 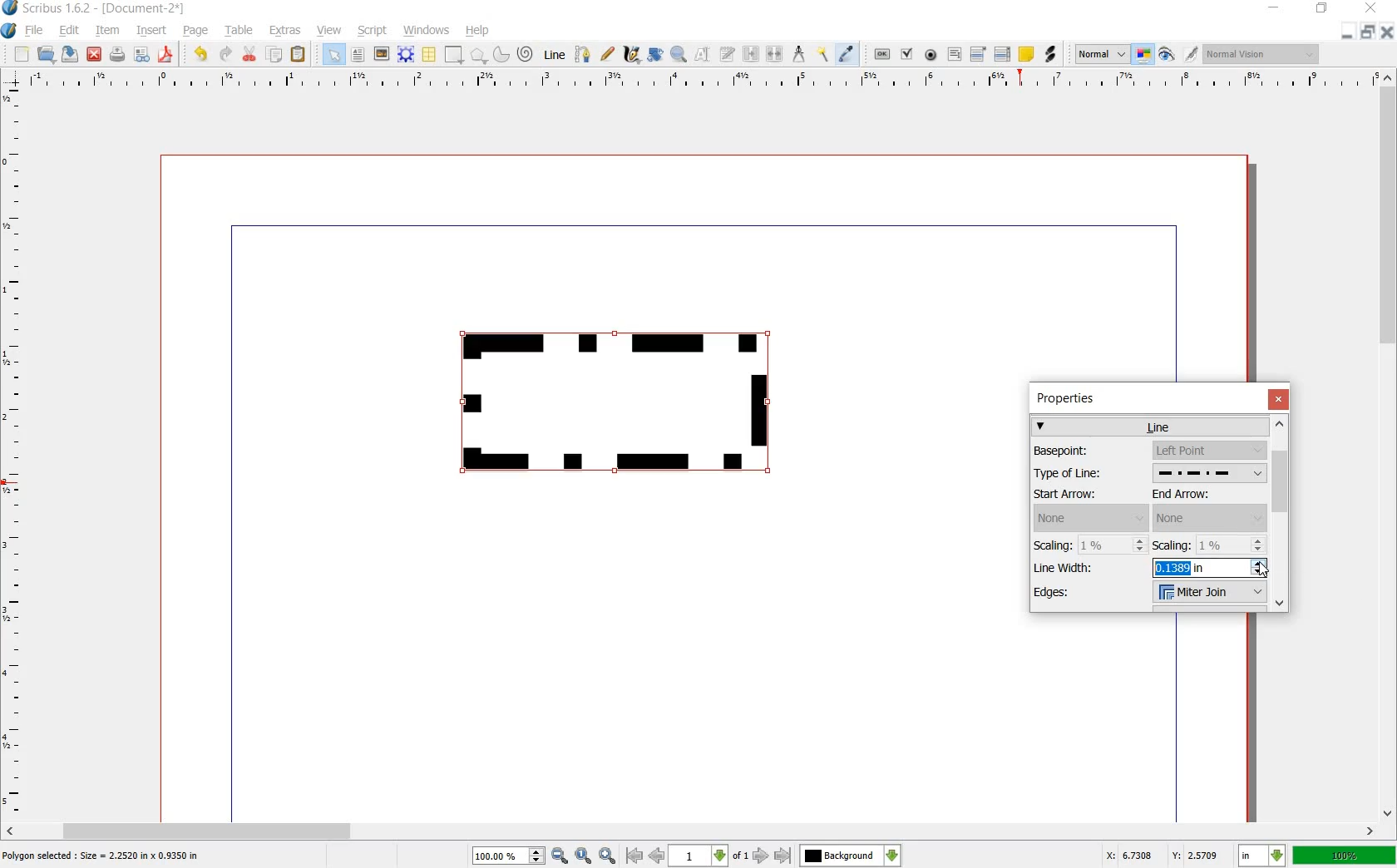 What do you see at coordinates (1172, 545) in the screenshot?
I see `Scaling:` at bounding box center [1172, 545].